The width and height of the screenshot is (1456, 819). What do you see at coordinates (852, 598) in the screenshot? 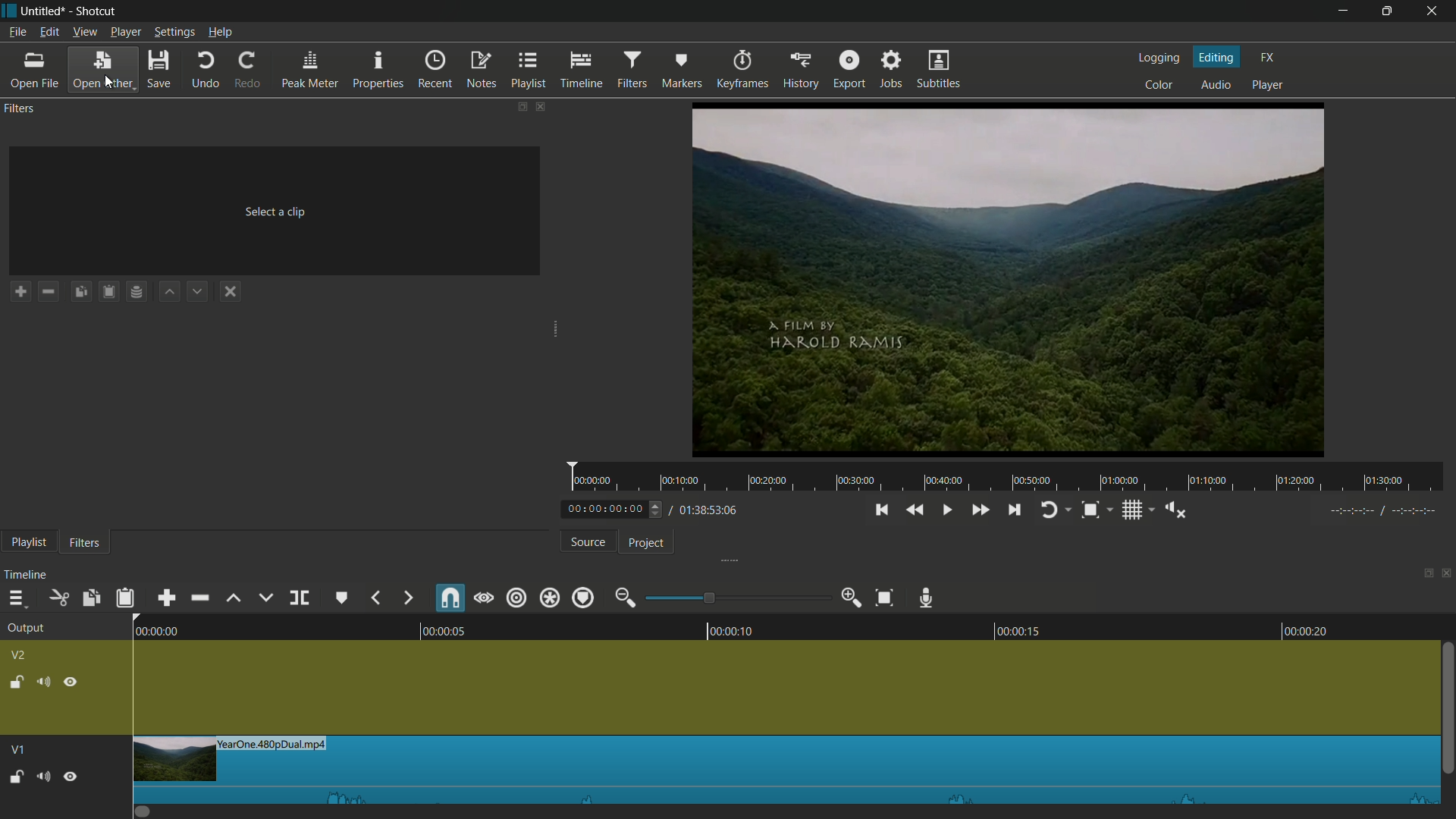
I see `zoom in` at bounding box center [852, 598].